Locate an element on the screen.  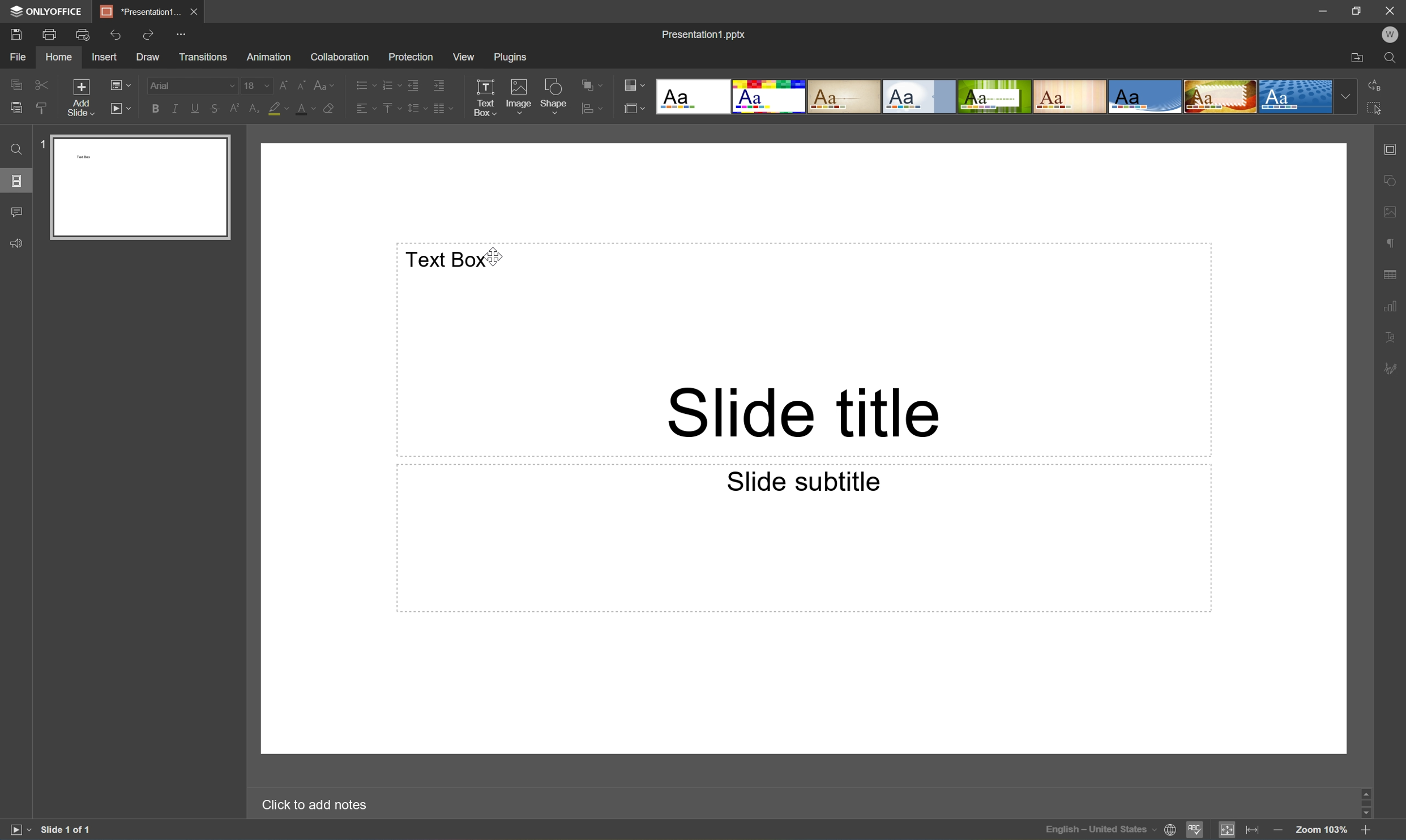
Highlight color is located at coordinates (276, 108).